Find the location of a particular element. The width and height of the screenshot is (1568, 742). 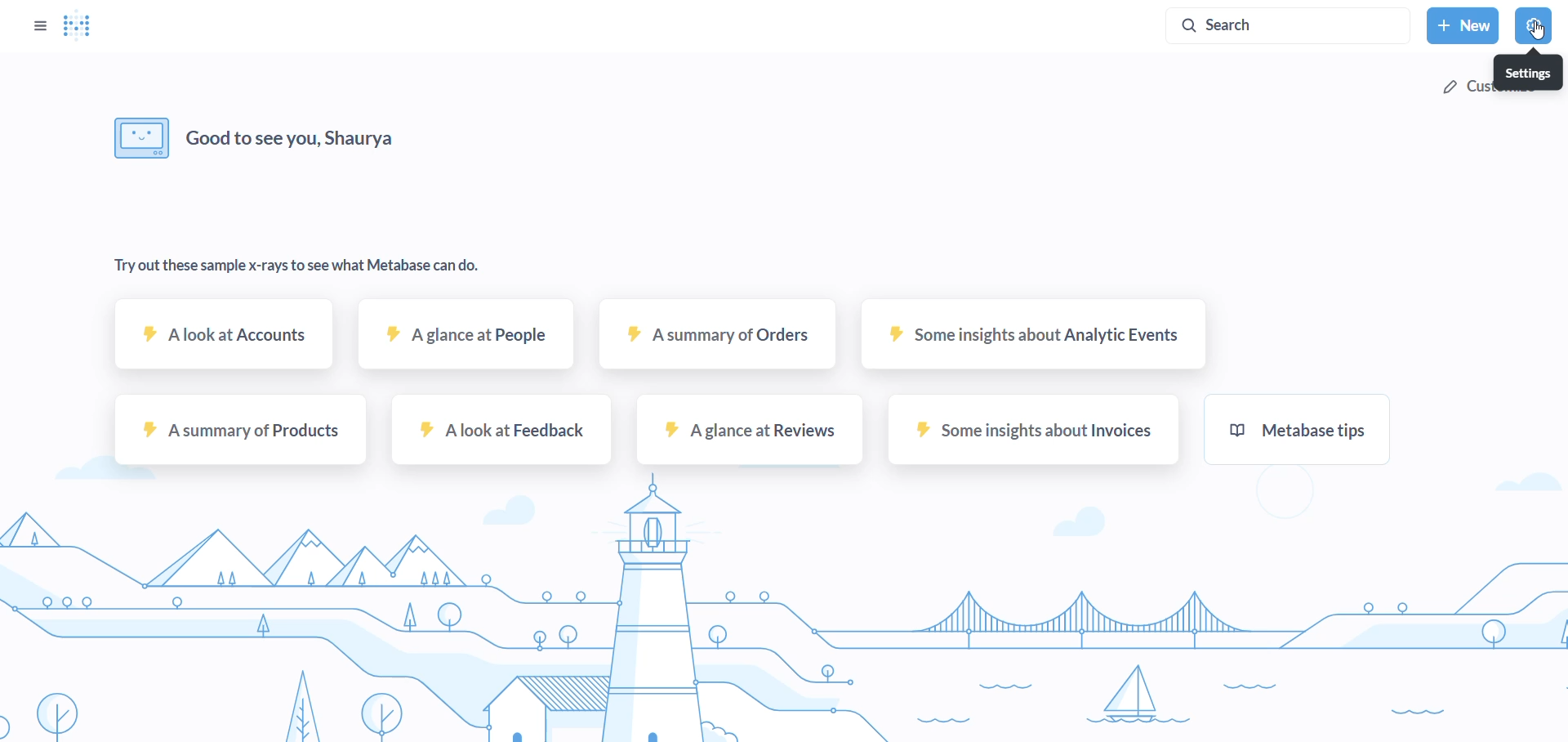

A summary of Products sample is located at coordinates (237, 435).